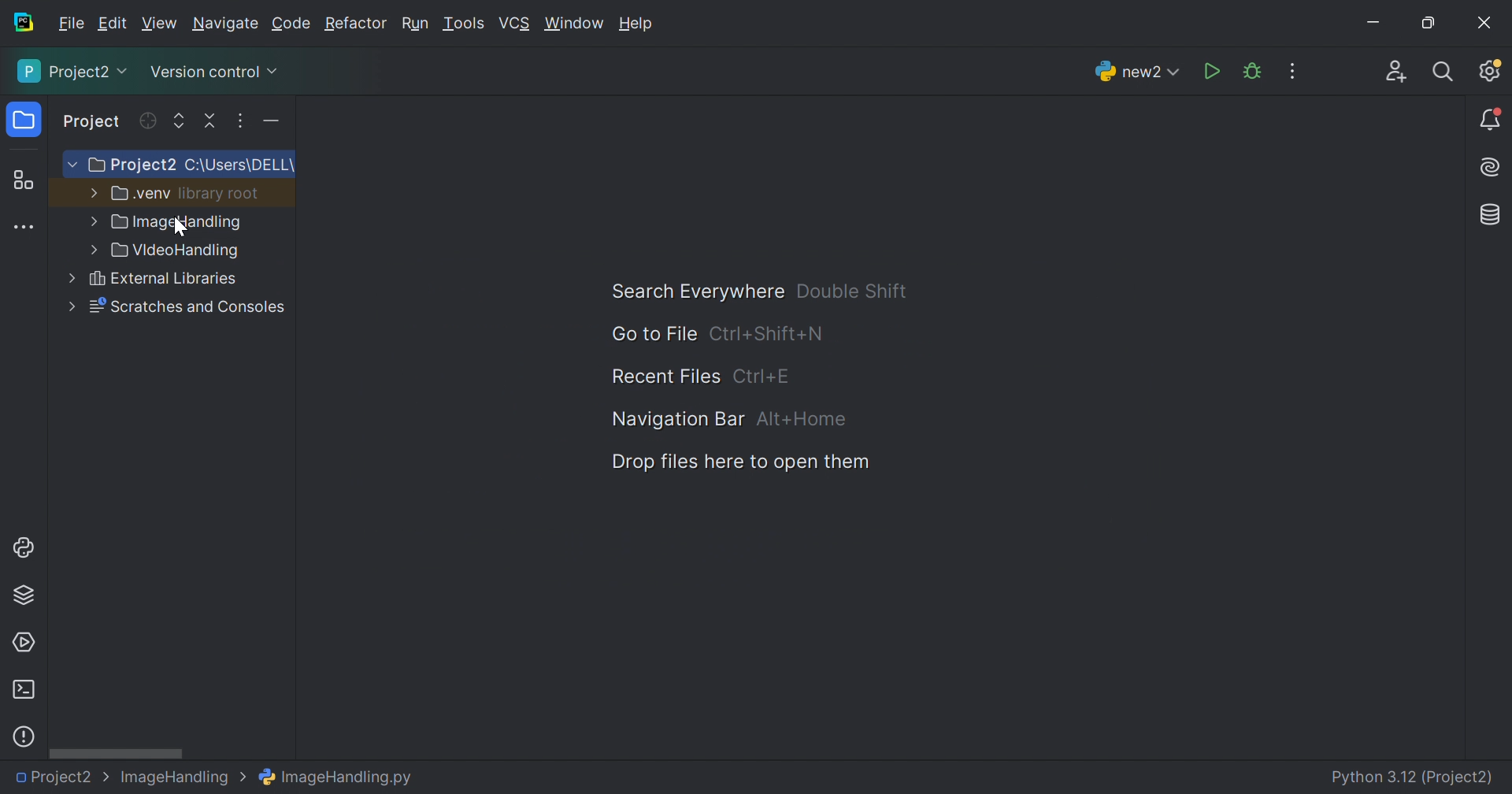 This screenshot has width=1512, height=794. I want to click on Project2, so click(62, 777).